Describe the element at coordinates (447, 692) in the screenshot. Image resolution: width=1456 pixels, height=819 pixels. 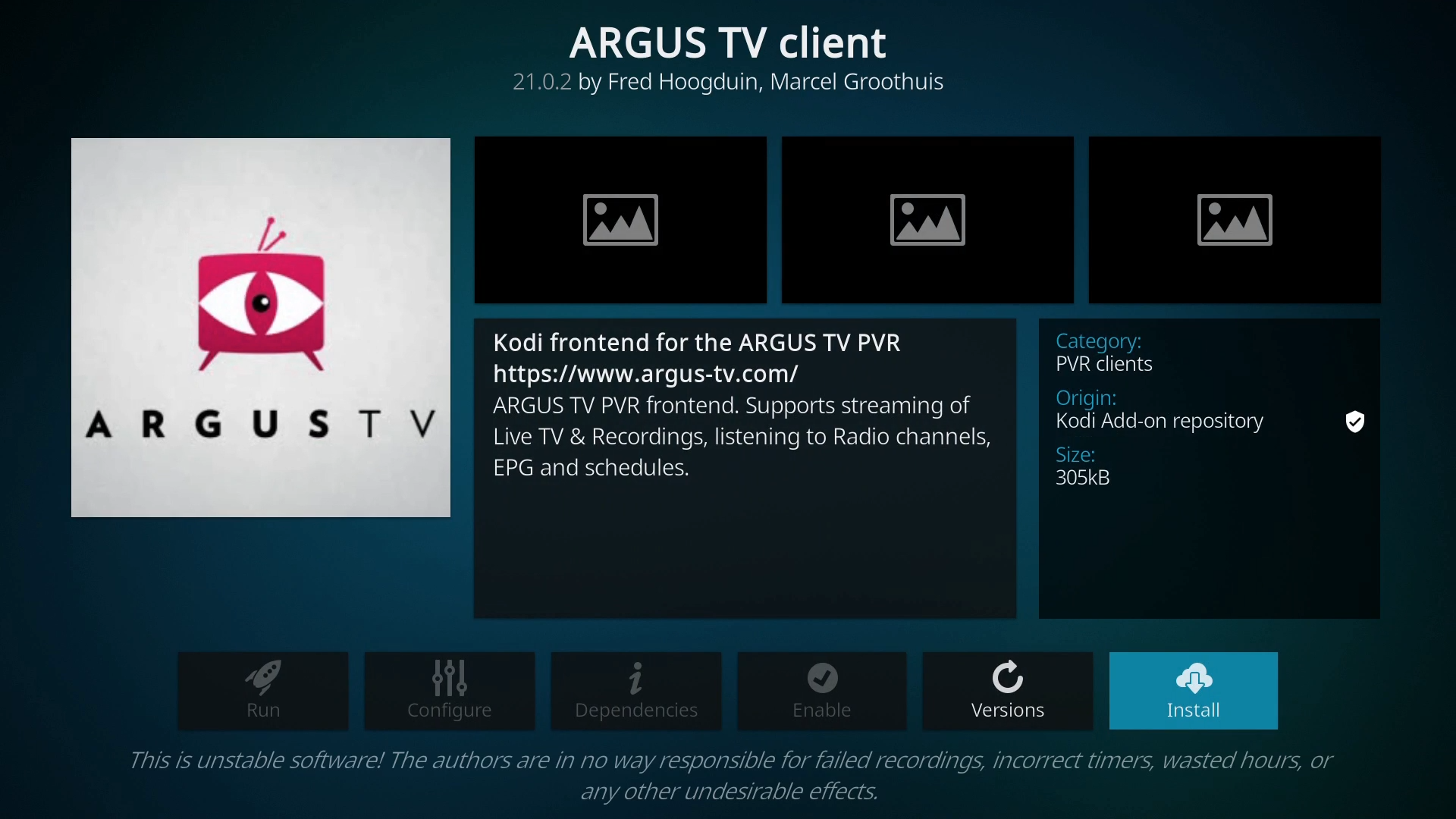
I see `configure` at that location.